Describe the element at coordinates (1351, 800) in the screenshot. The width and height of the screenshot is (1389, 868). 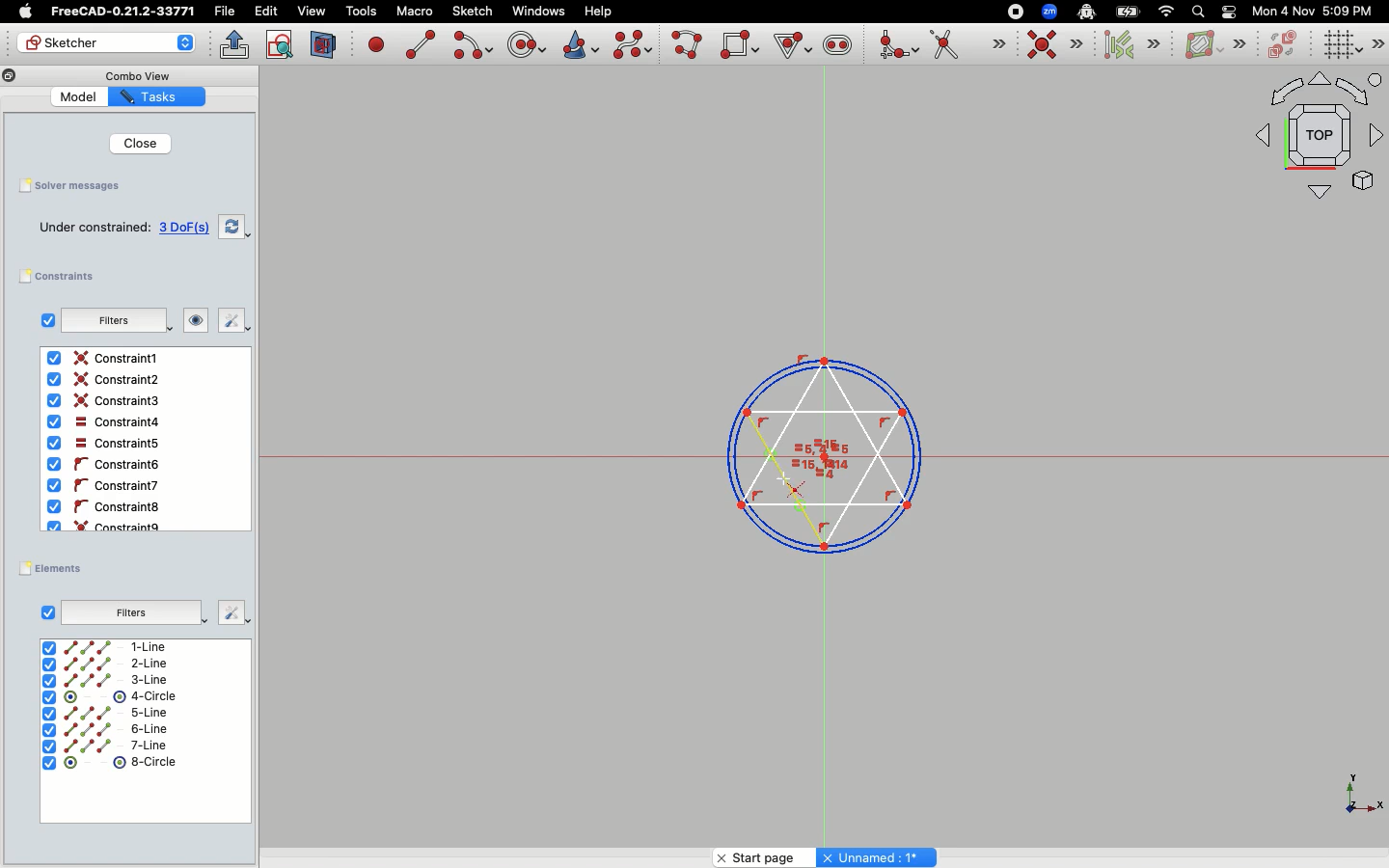
I see `X, Y, Z` at that location.